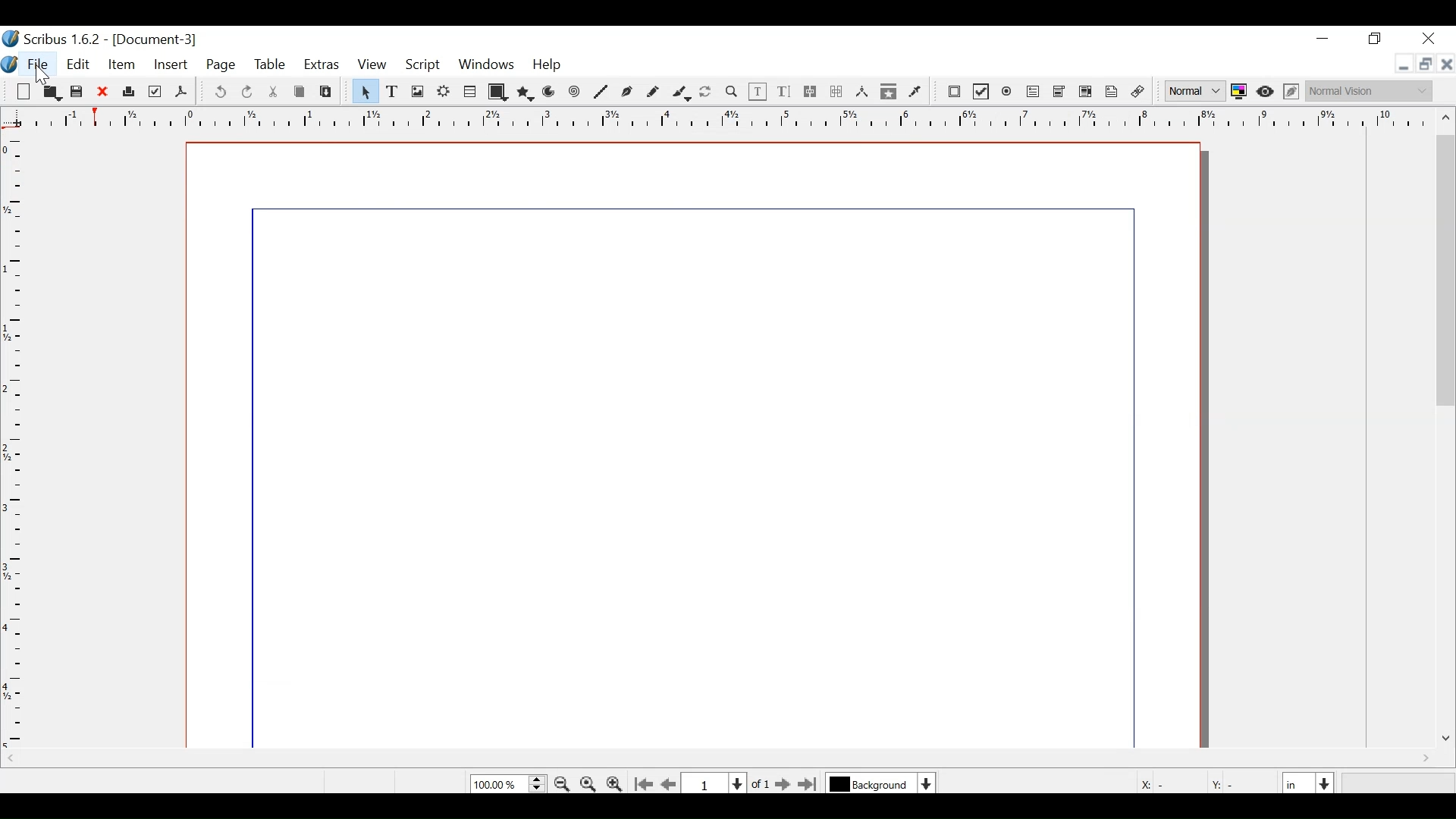 The width and height of the screenshot is (1456, 819). I want to click on Arc, so click(549, 93).